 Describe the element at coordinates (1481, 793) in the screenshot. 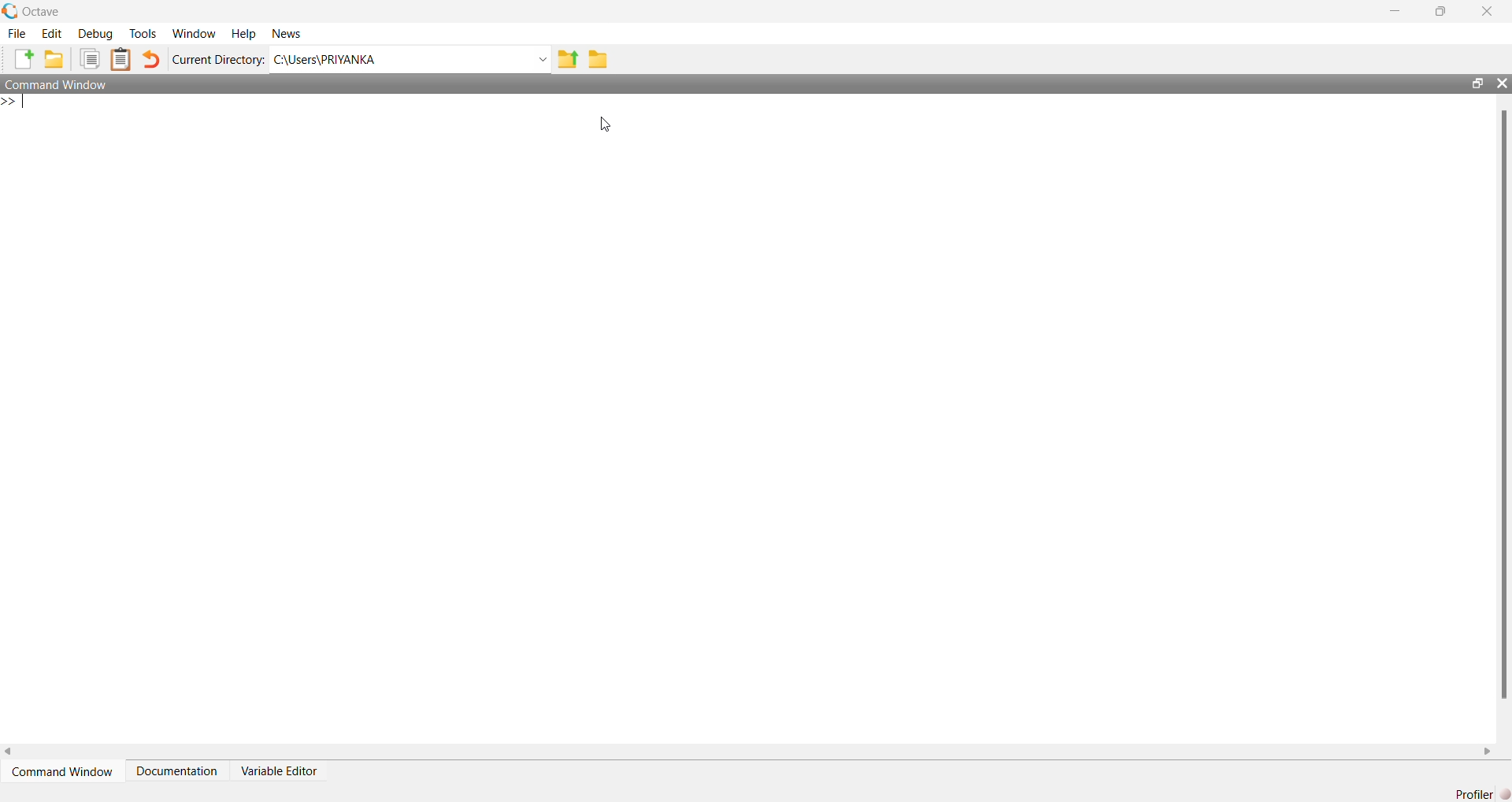

I see `Profiler` at that location.